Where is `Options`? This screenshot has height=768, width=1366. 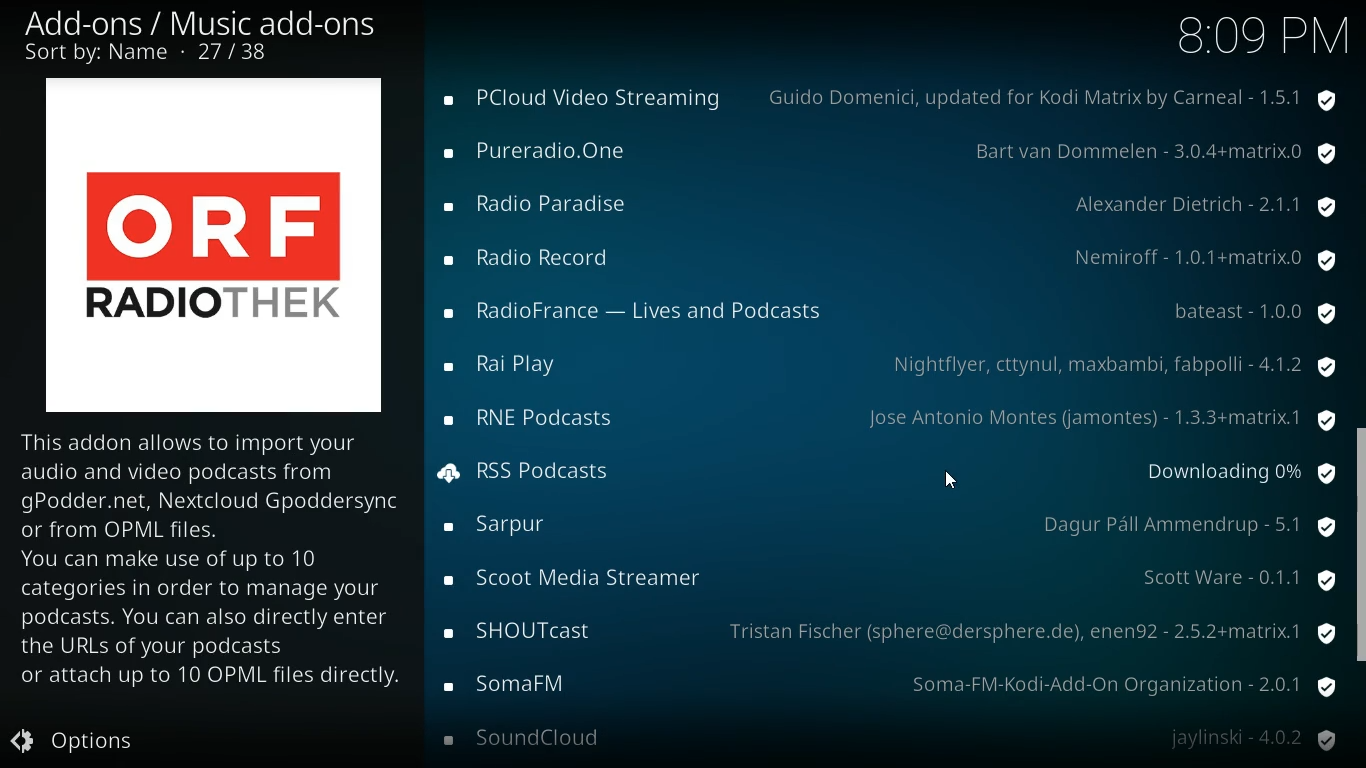 Options is located at coordinates (89, 742).